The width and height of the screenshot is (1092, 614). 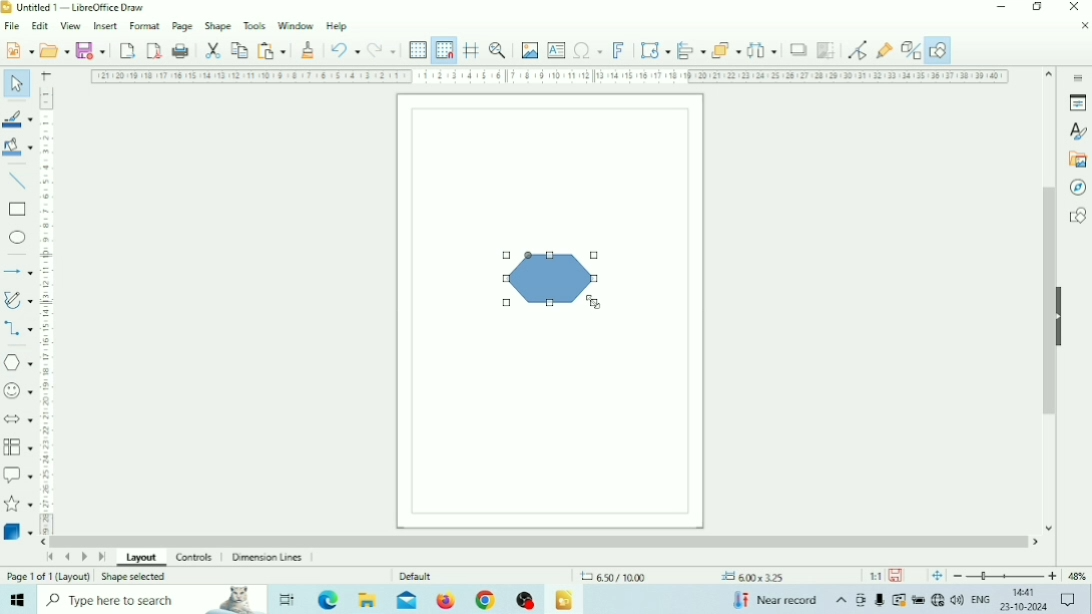 I want to click on Navigator, so click(x=1076, y=188).